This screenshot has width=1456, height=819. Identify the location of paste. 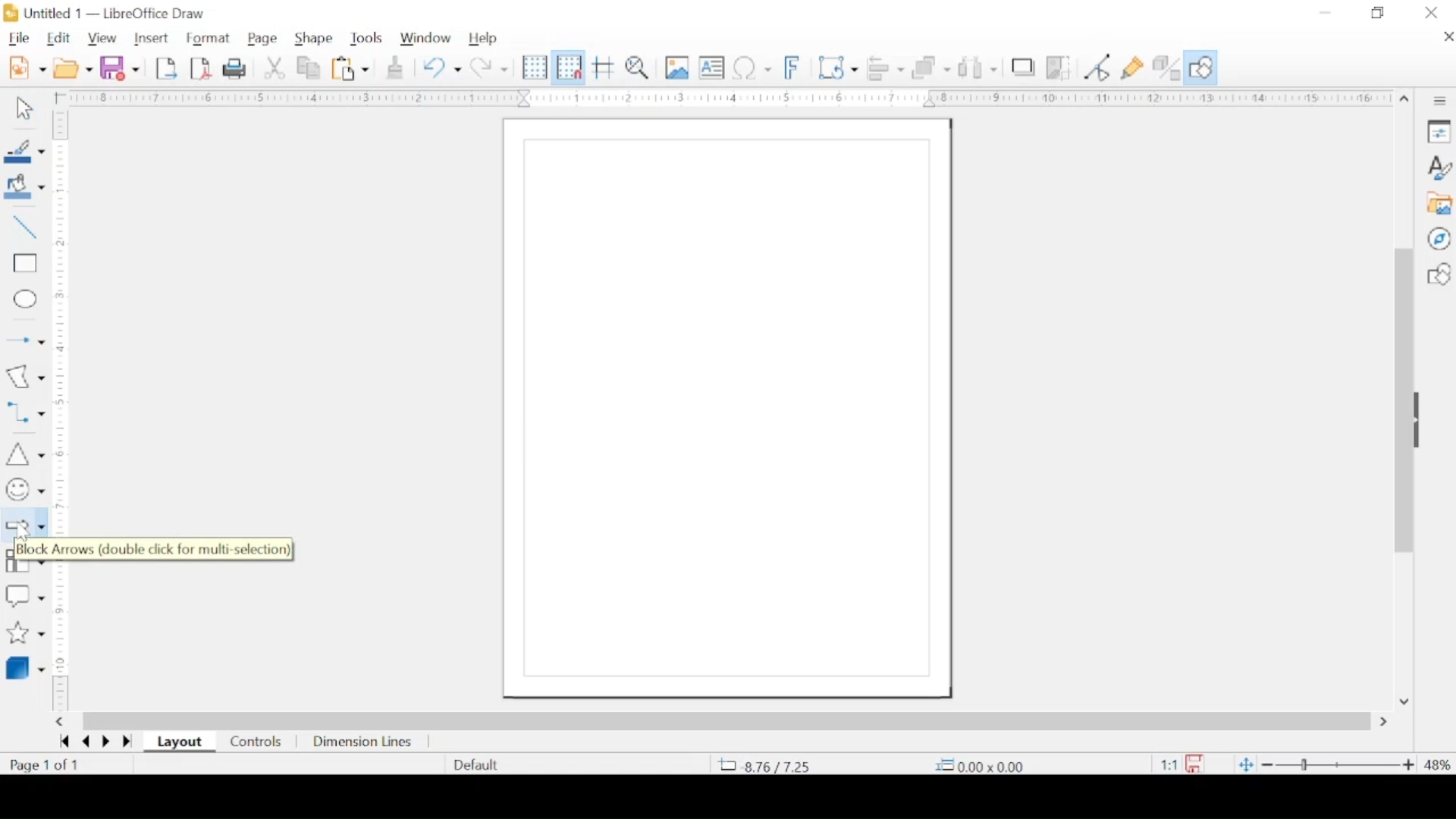
(350, 67).